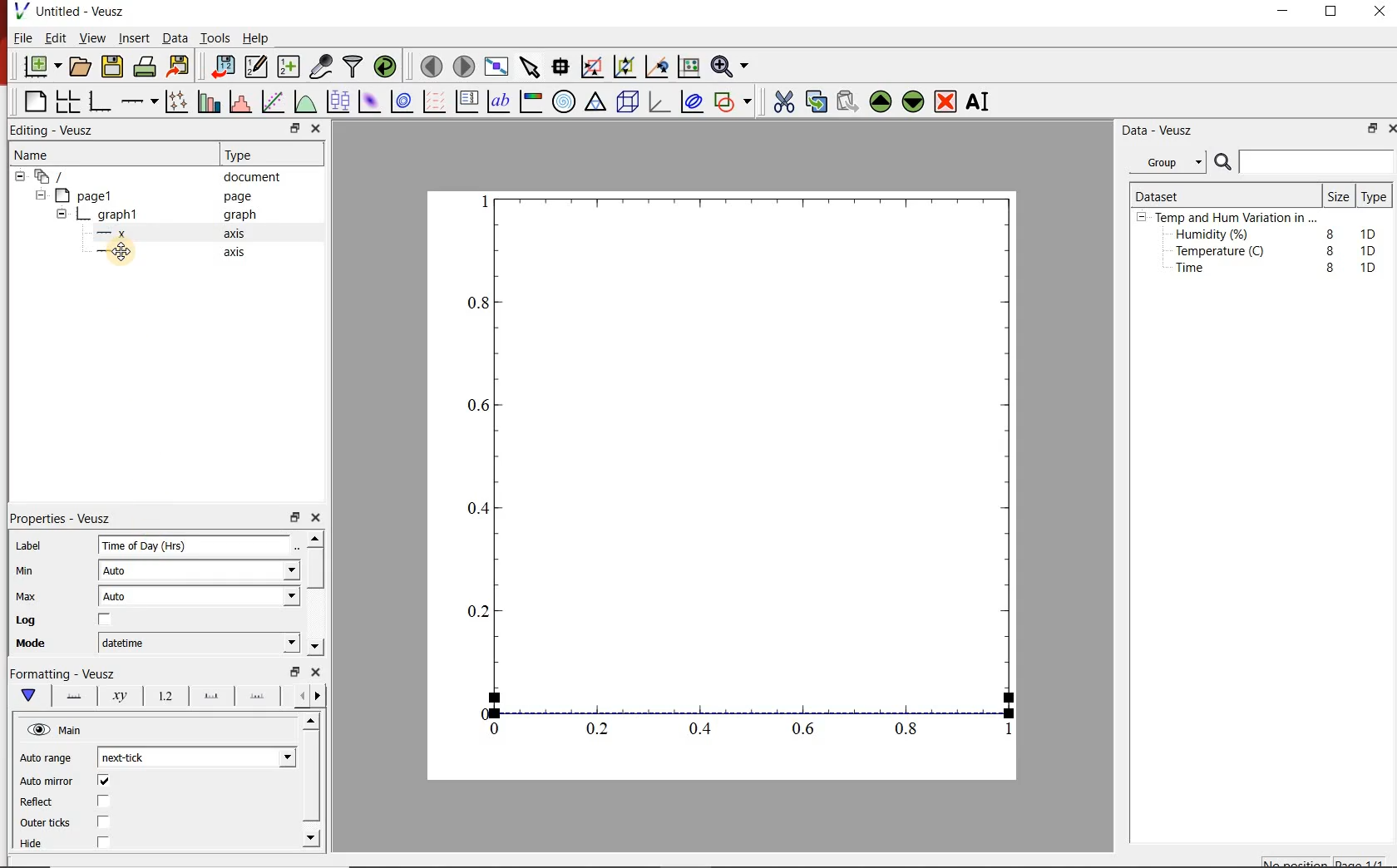 The width and height of the screenshot is (1397, 868). What do you see at coordinates (294, 518) in the screenshot?
I see `restore down` at bounding box center [294, 518].